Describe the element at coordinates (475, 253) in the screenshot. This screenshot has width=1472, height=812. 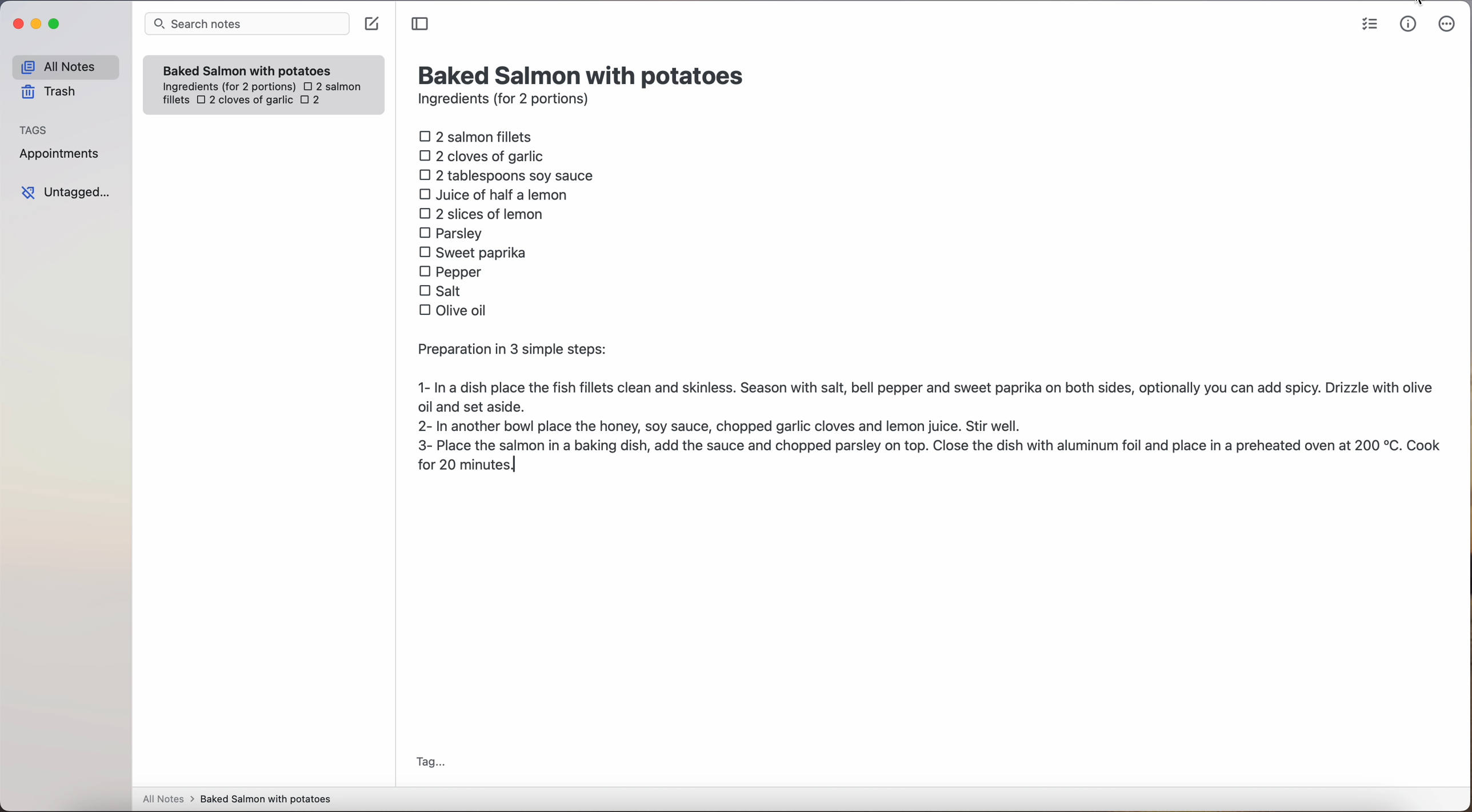
I see `sweet paprika` at that location.